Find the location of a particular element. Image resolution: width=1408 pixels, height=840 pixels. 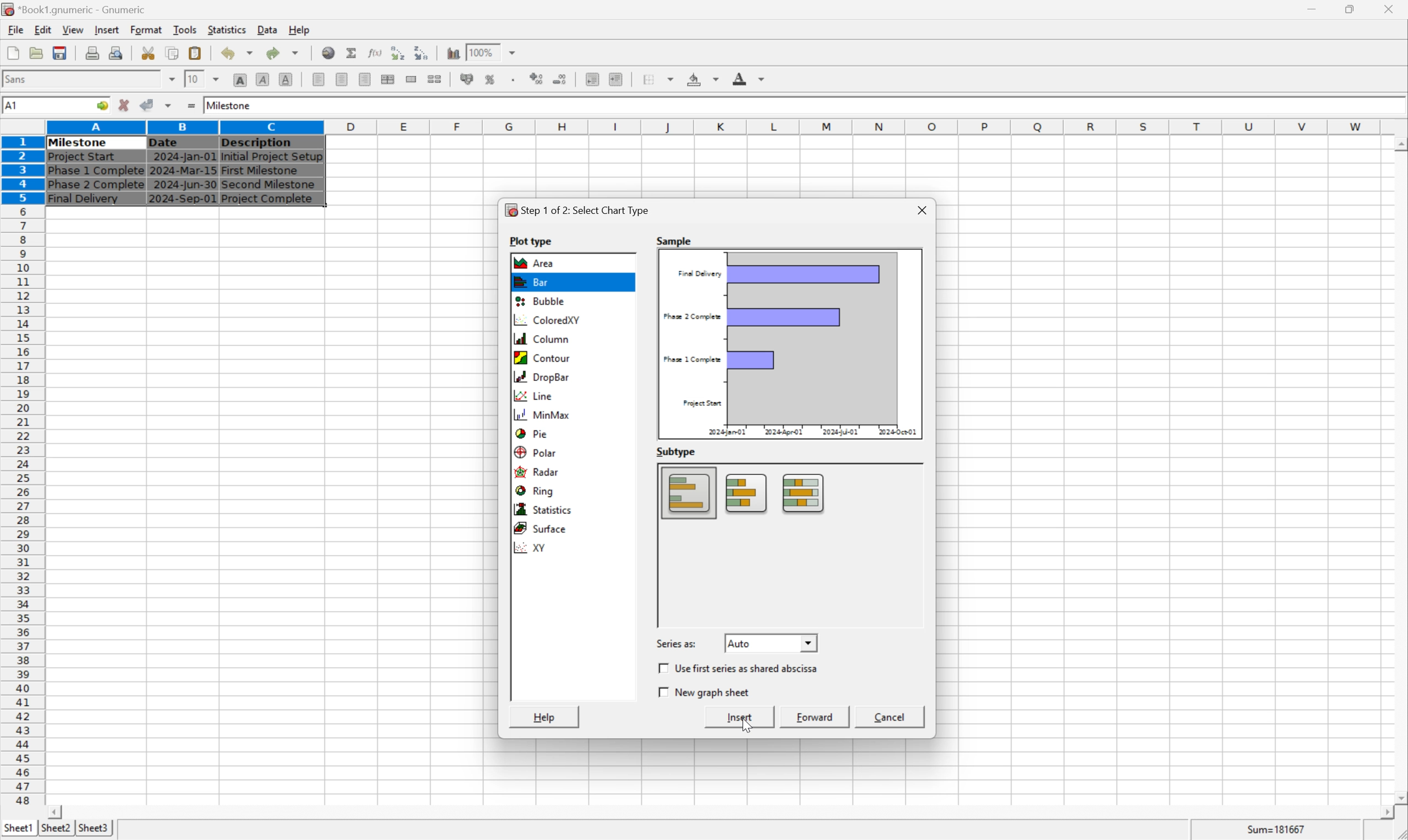

paste is located at coordinates (195, 53).